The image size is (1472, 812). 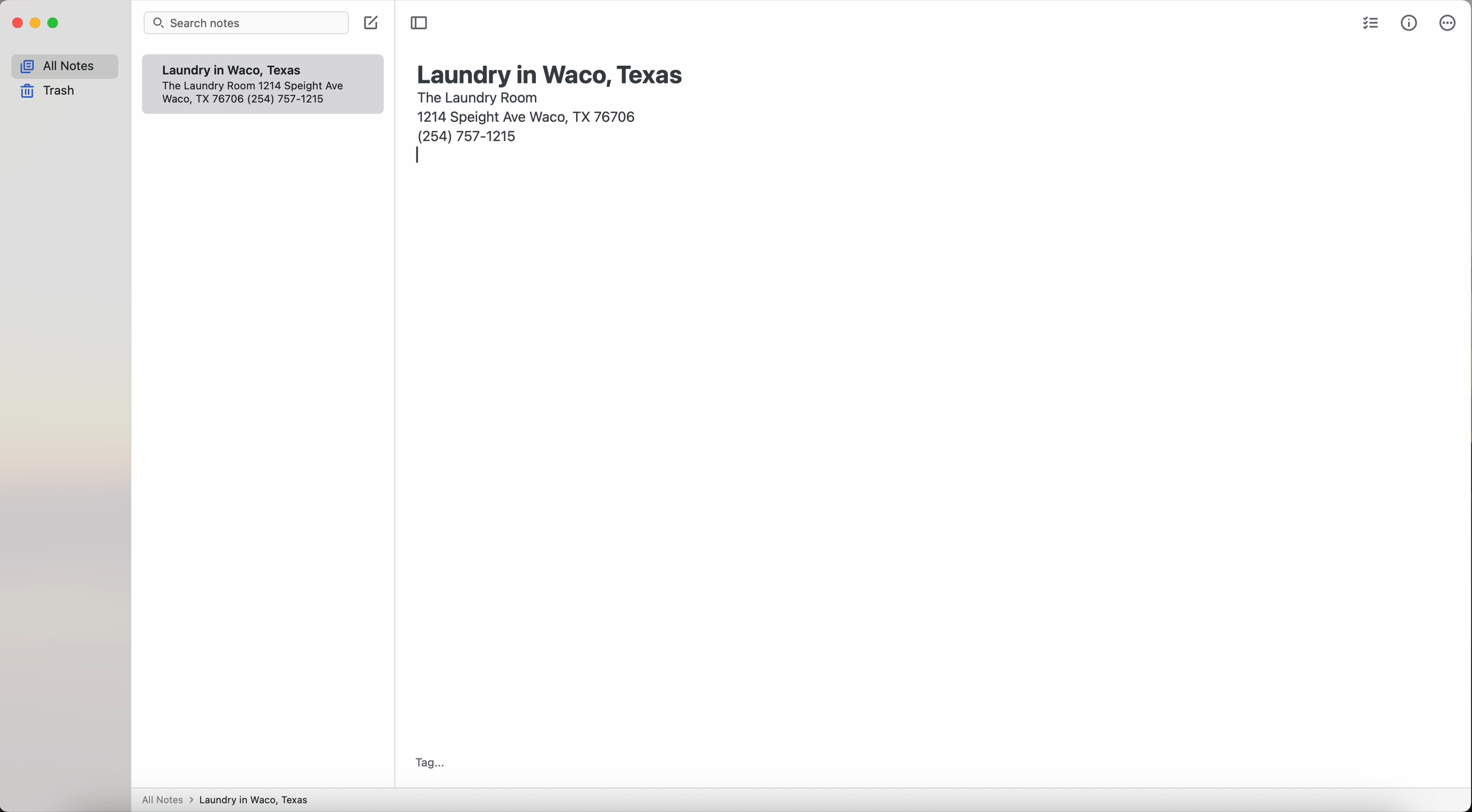 I want to click on check list, so click(x=1368, y=25).